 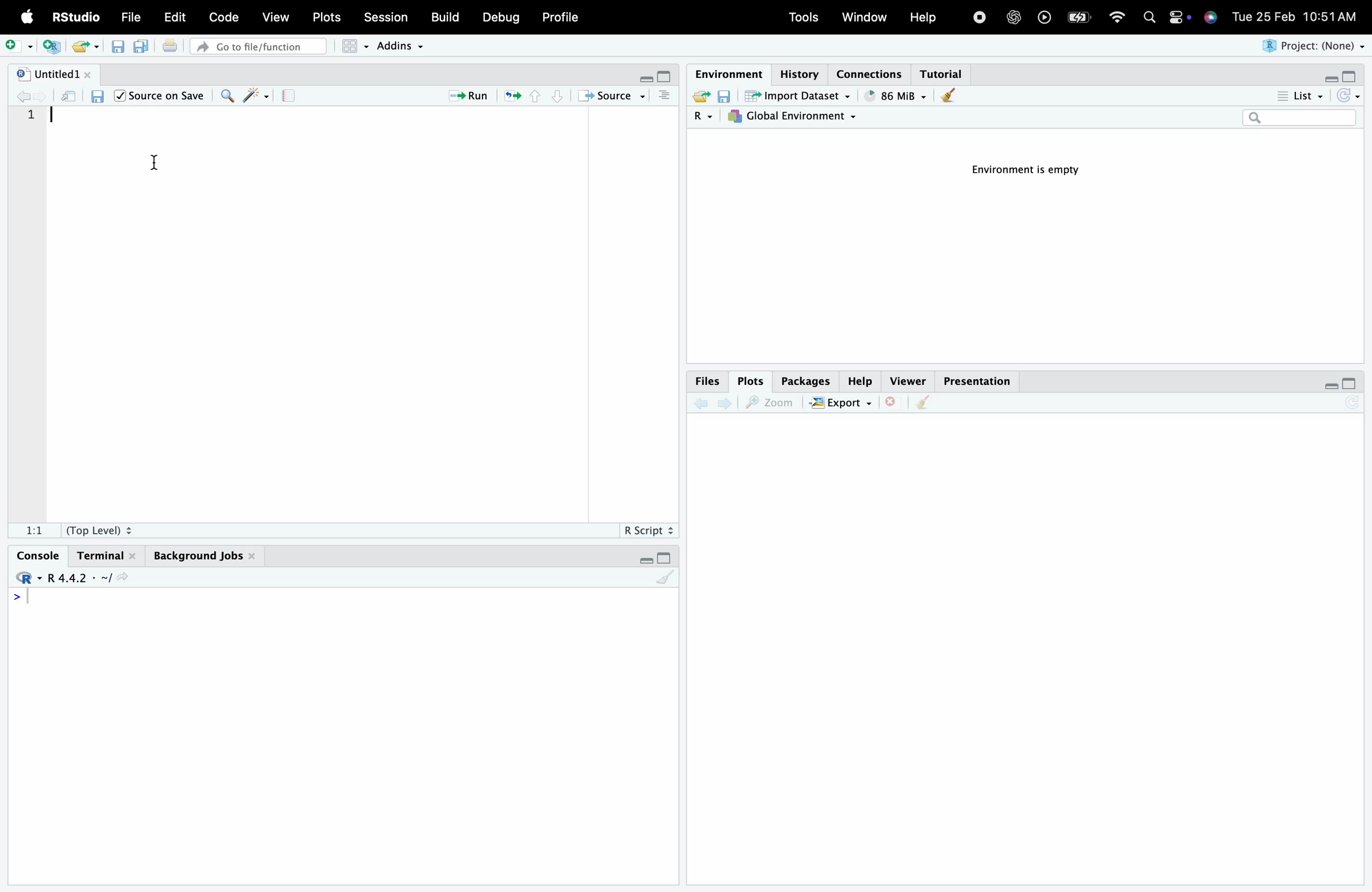 What do you see at coordinates (666, 99) in the screenshot?
I see `more` at bounding box center [666, 99].